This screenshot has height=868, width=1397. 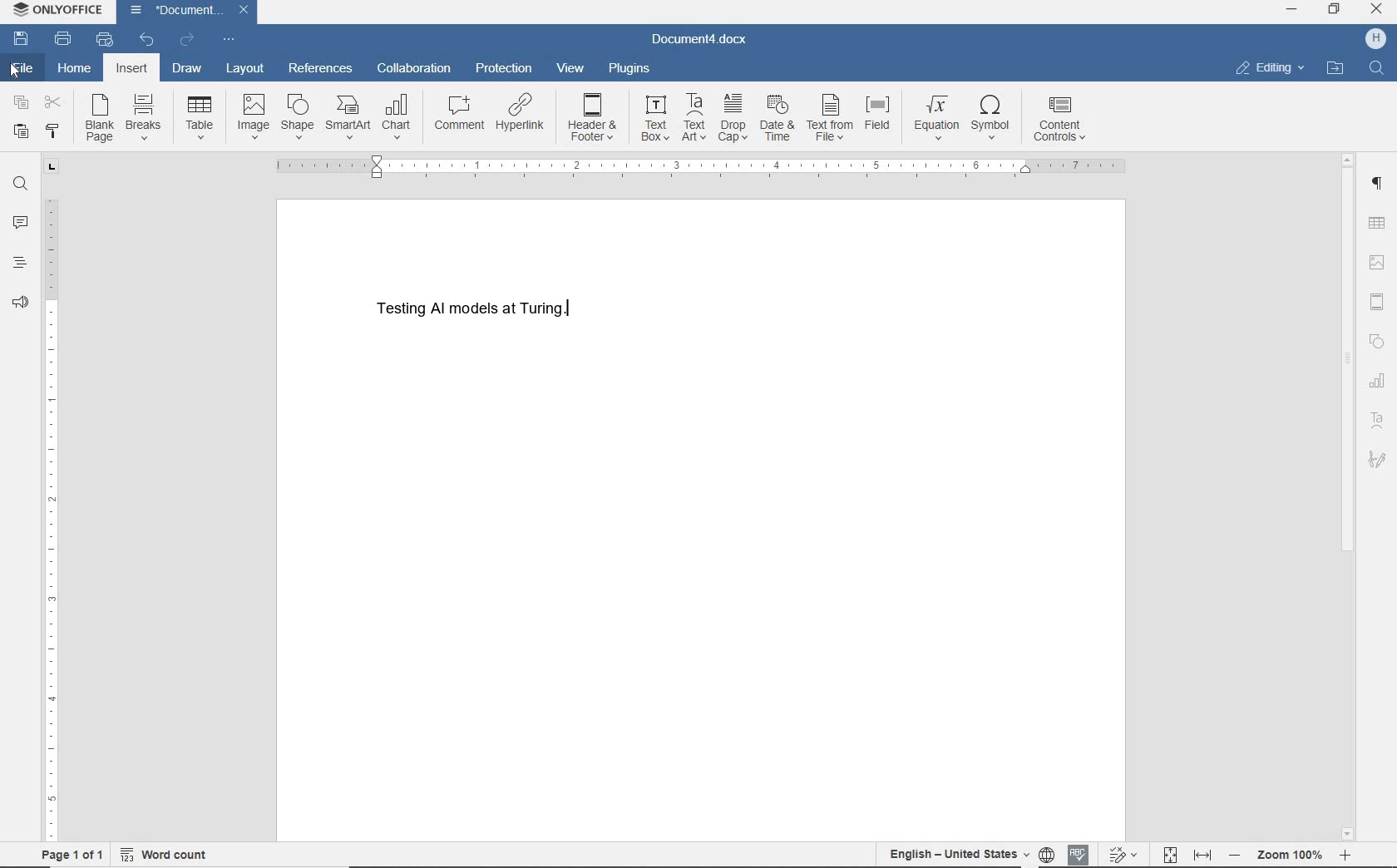 I want to click on find, so click(x=20, y=185).